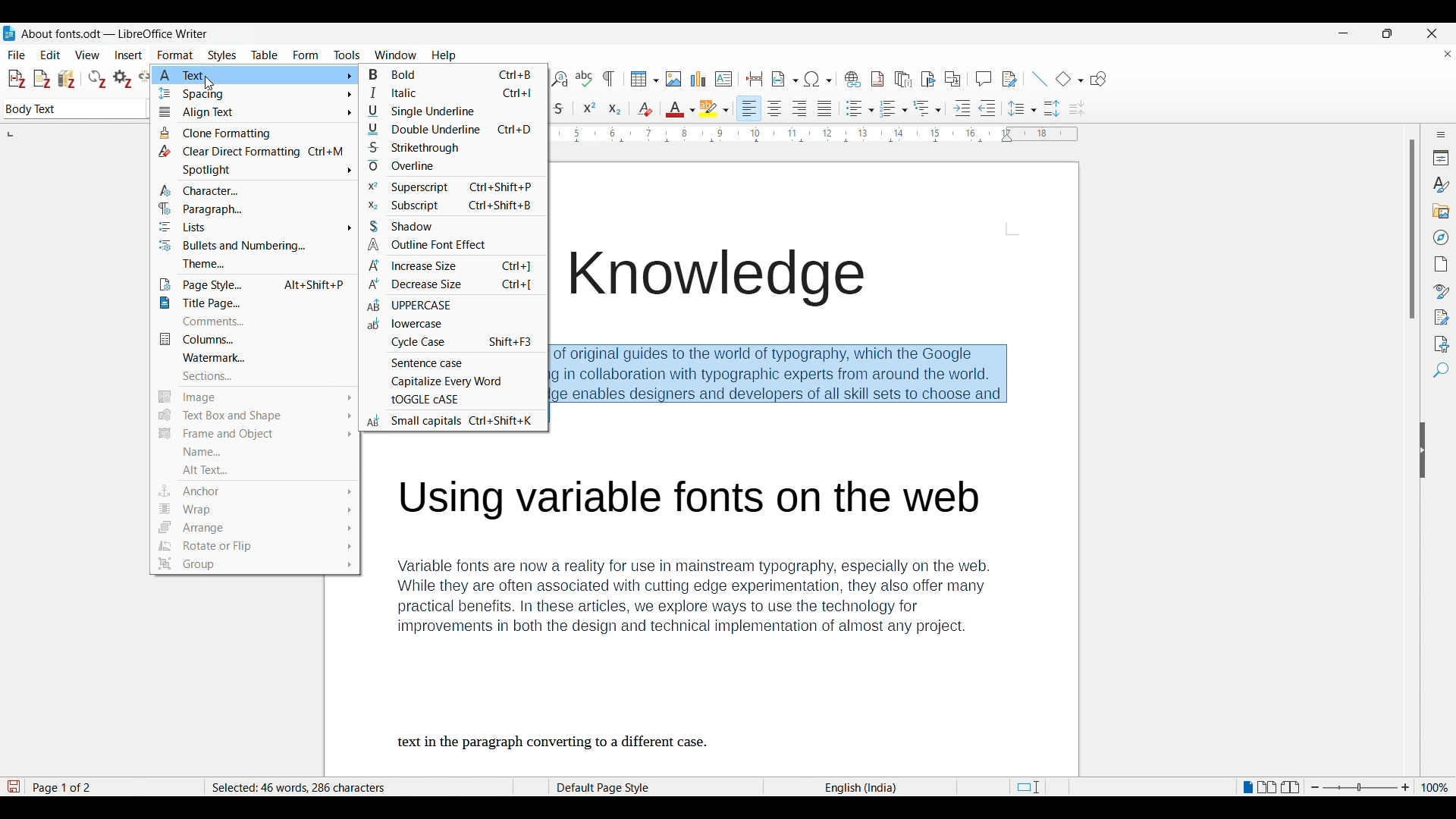 The width and height of the screenshot is (1456, 819). What do you see at coordinates (255, 510) in the screenshot?
I see `Wrap` at bounding box center [255, 510].